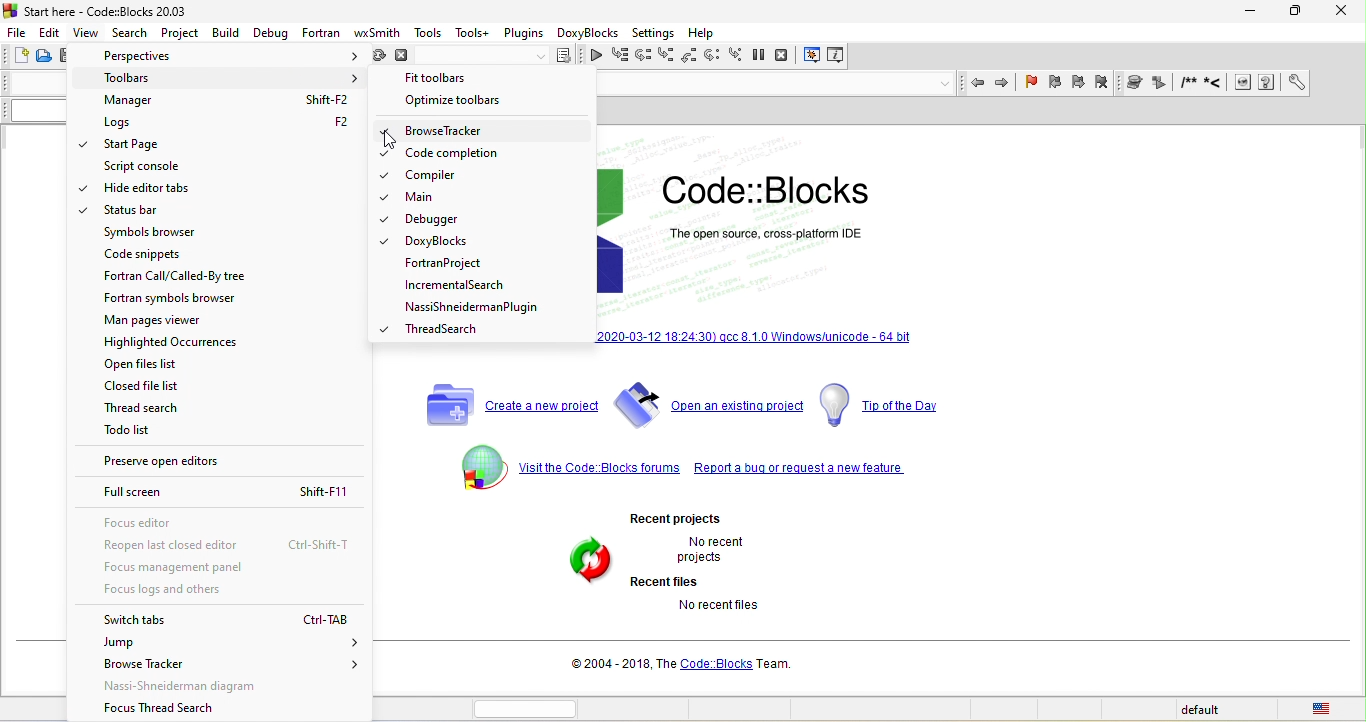  What do you see at coordinates (429, 32) in the screenshot?
I see `tools` at bounding box center [429, 32].